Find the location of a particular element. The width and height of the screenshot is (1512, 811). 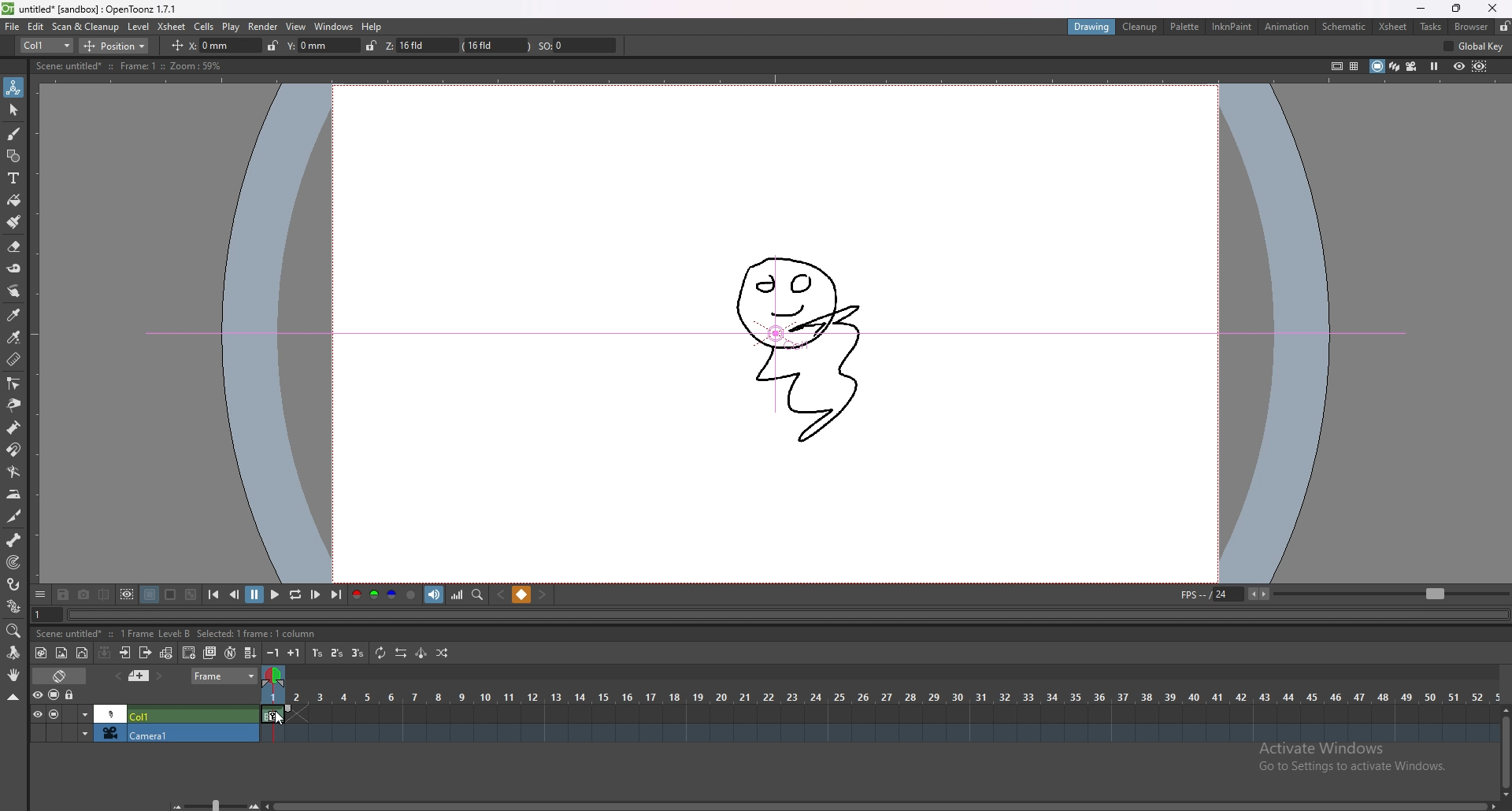

pause is located at coordinates (254, 594).